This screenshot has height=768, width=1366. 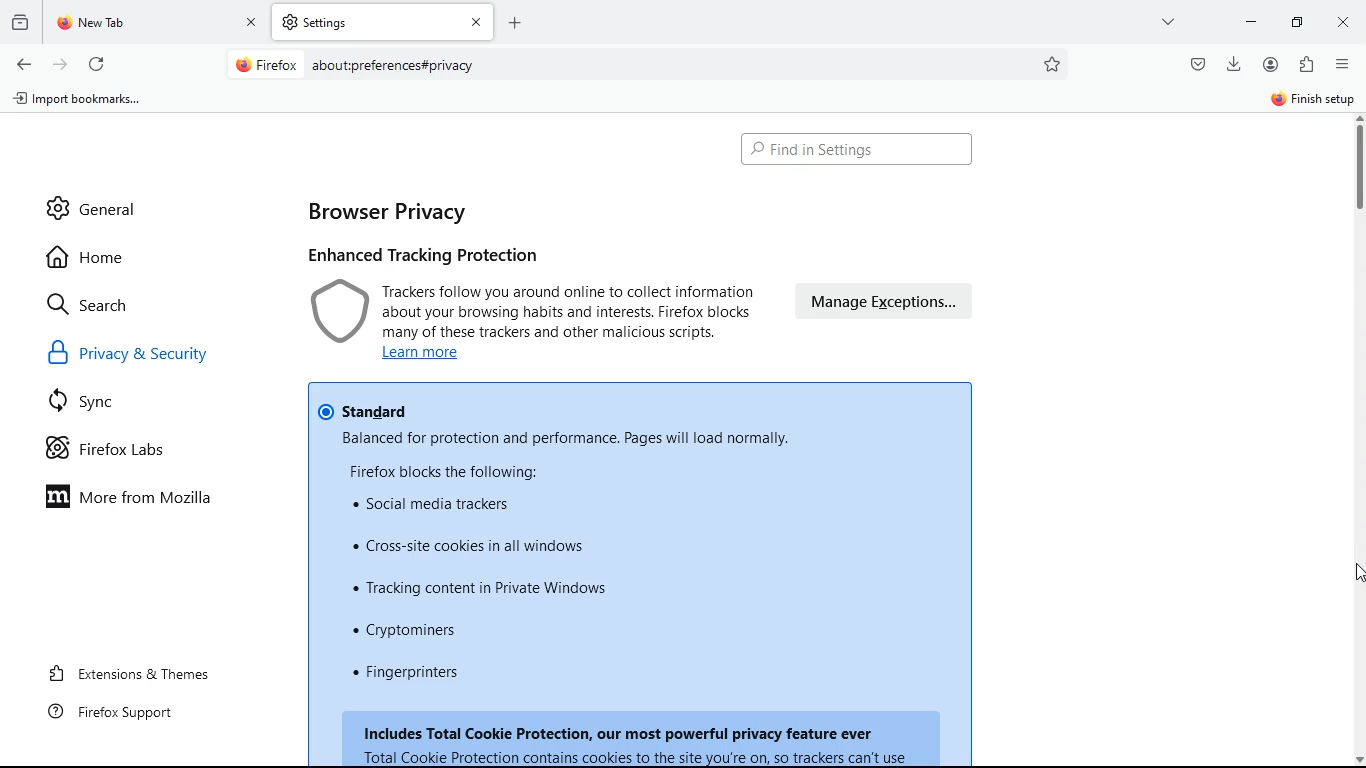 I want to click on general, so click(x=93, y=201).